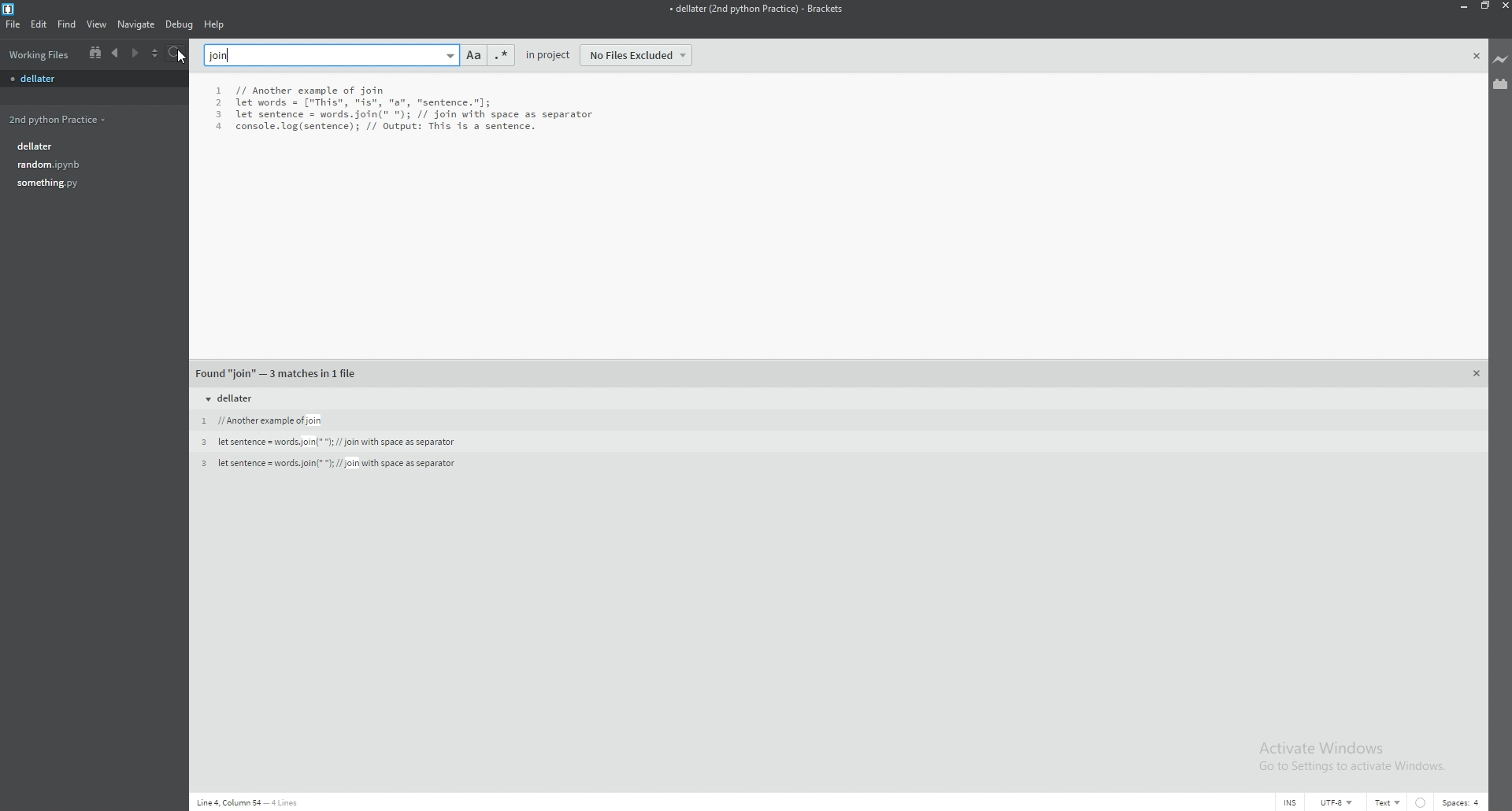 This screenshot has width=1512, height=811. Describe the element at coordinates (328, 443) in the screenshot. I see `3 let sentence = words.join(" "); // join with space as separator` at that location.